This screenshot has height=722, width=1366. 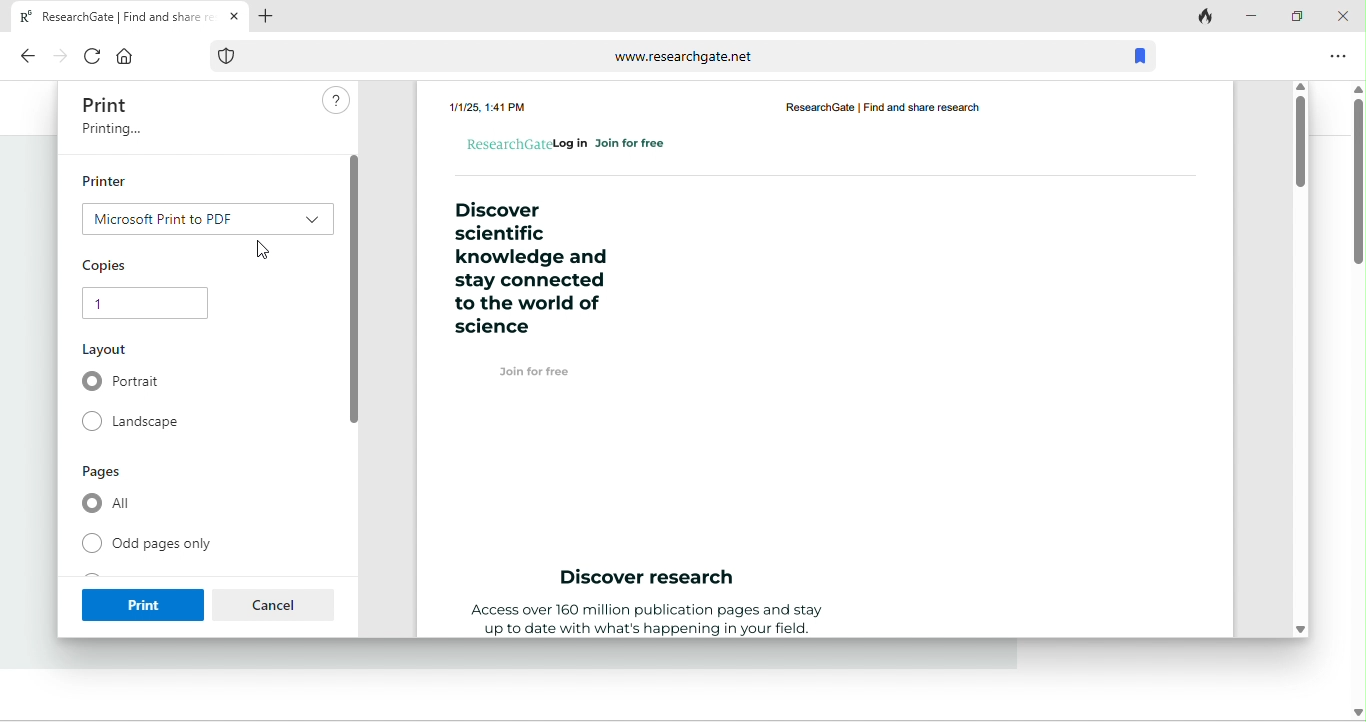 What do you see at coordinates (57, 55) in the screenshot?
I see `forward` at bounding box center [57, 55].